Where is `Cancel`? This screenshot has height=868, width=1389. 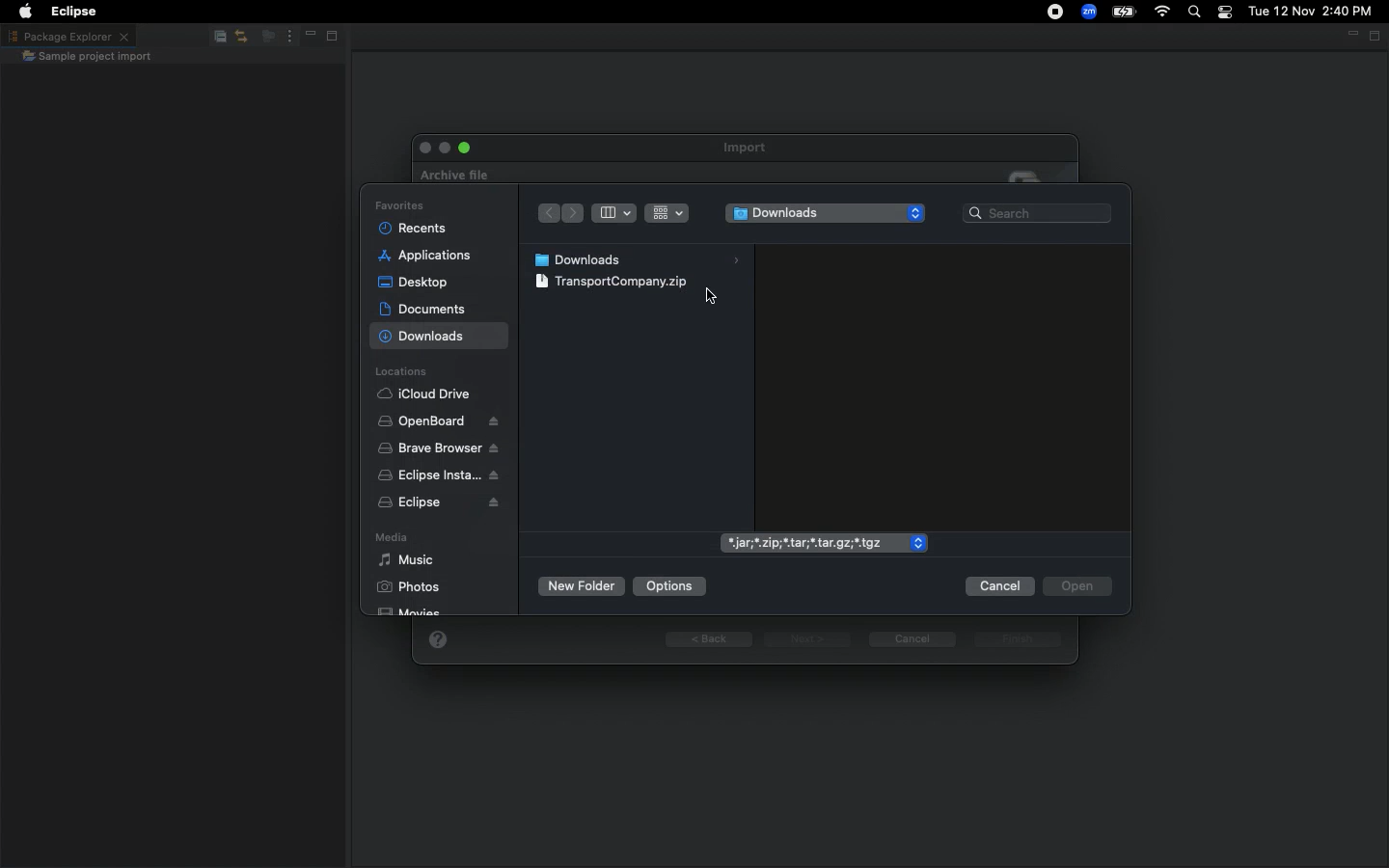
Cancel is located at coordinates (999, 586).